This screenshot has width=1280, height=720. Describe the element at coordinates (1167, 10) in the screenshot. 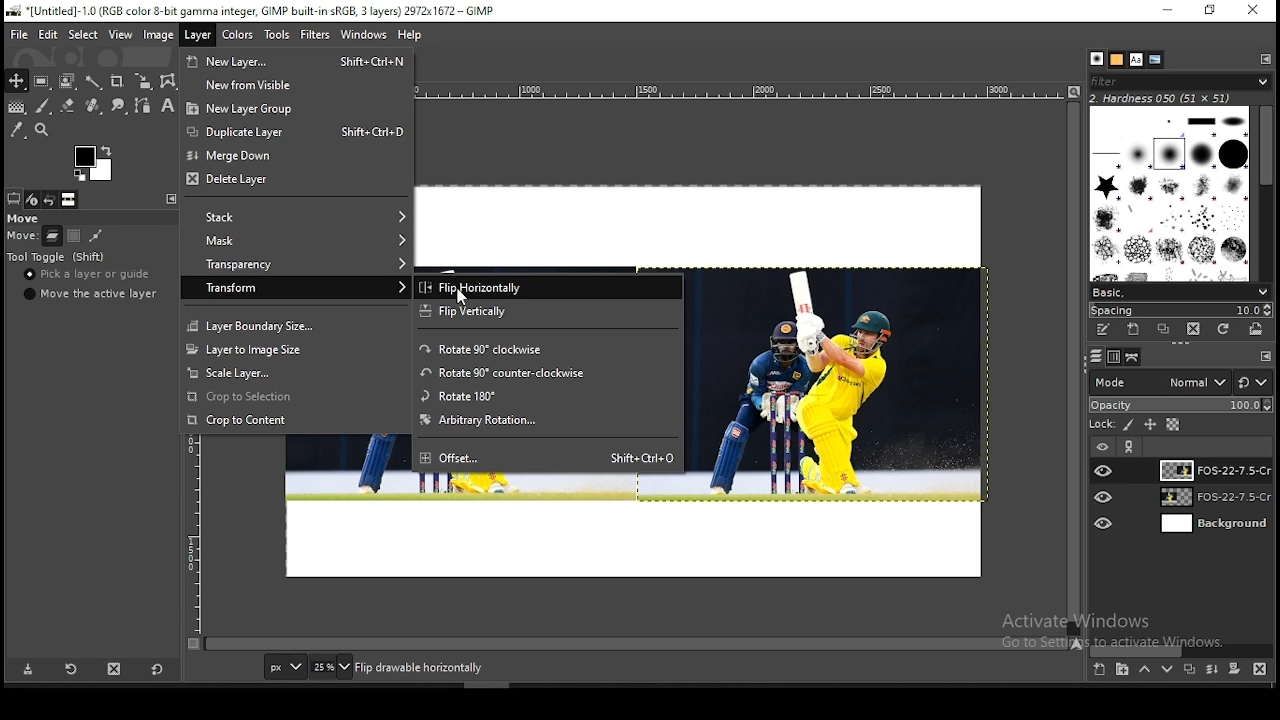

I see `Minimise ` at that location.